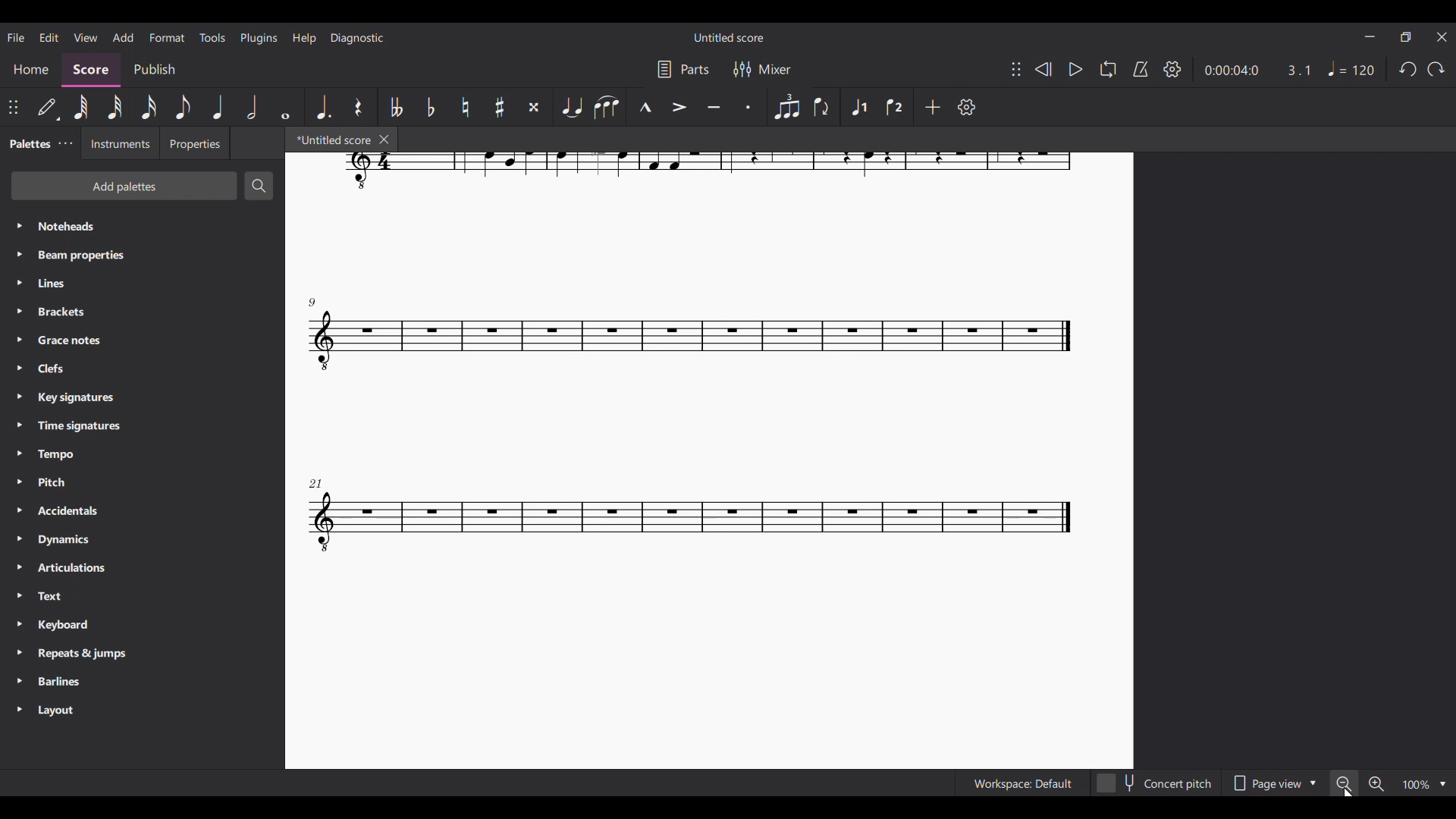 Image resolution: width=1456 pixels, height=819 pixels. I want to click on Accent, so click(679, 107).